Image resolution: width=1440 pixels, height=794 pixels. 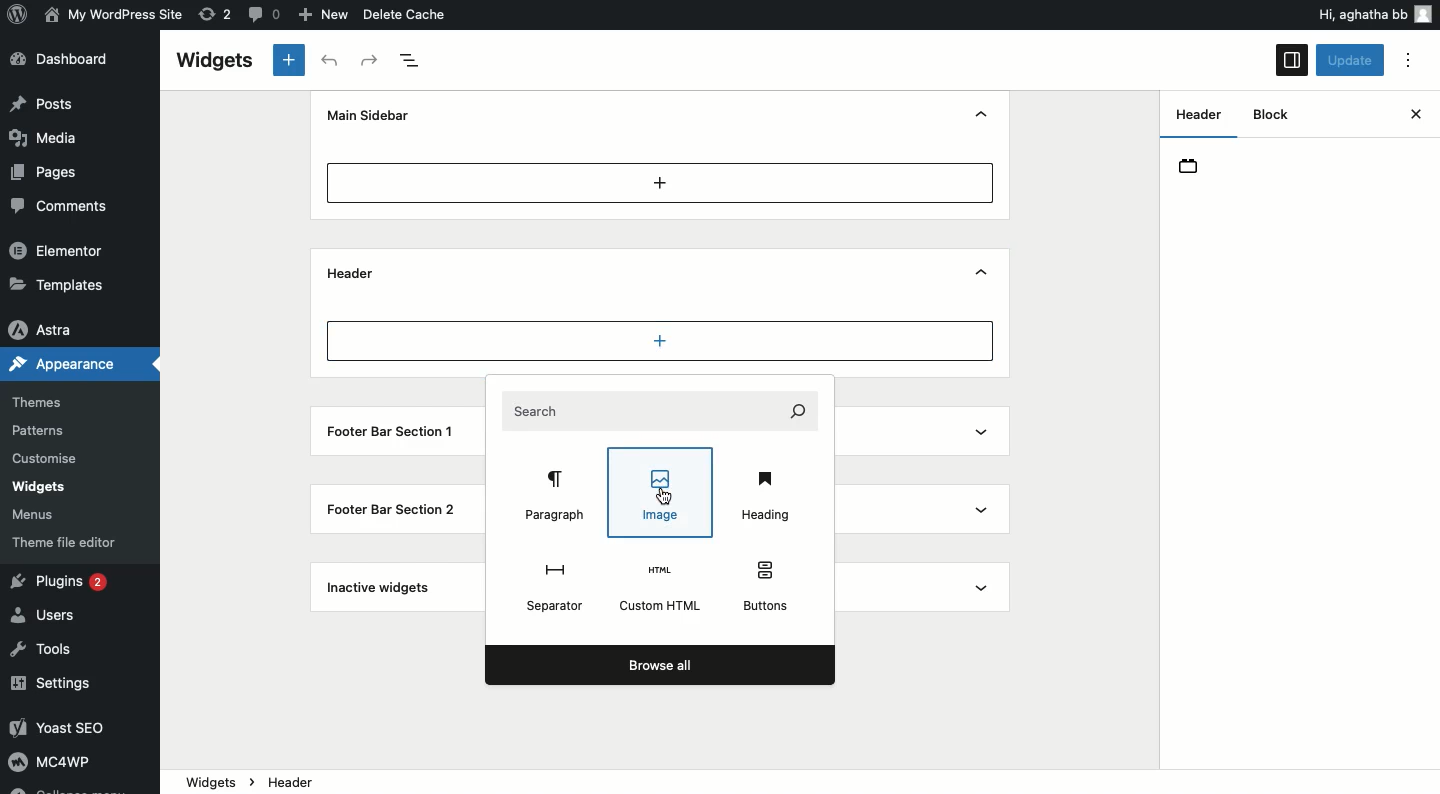 What do you see at coordinates (661, 492) in the screenshot?
I see `Image` at bounding box center [661, 492].